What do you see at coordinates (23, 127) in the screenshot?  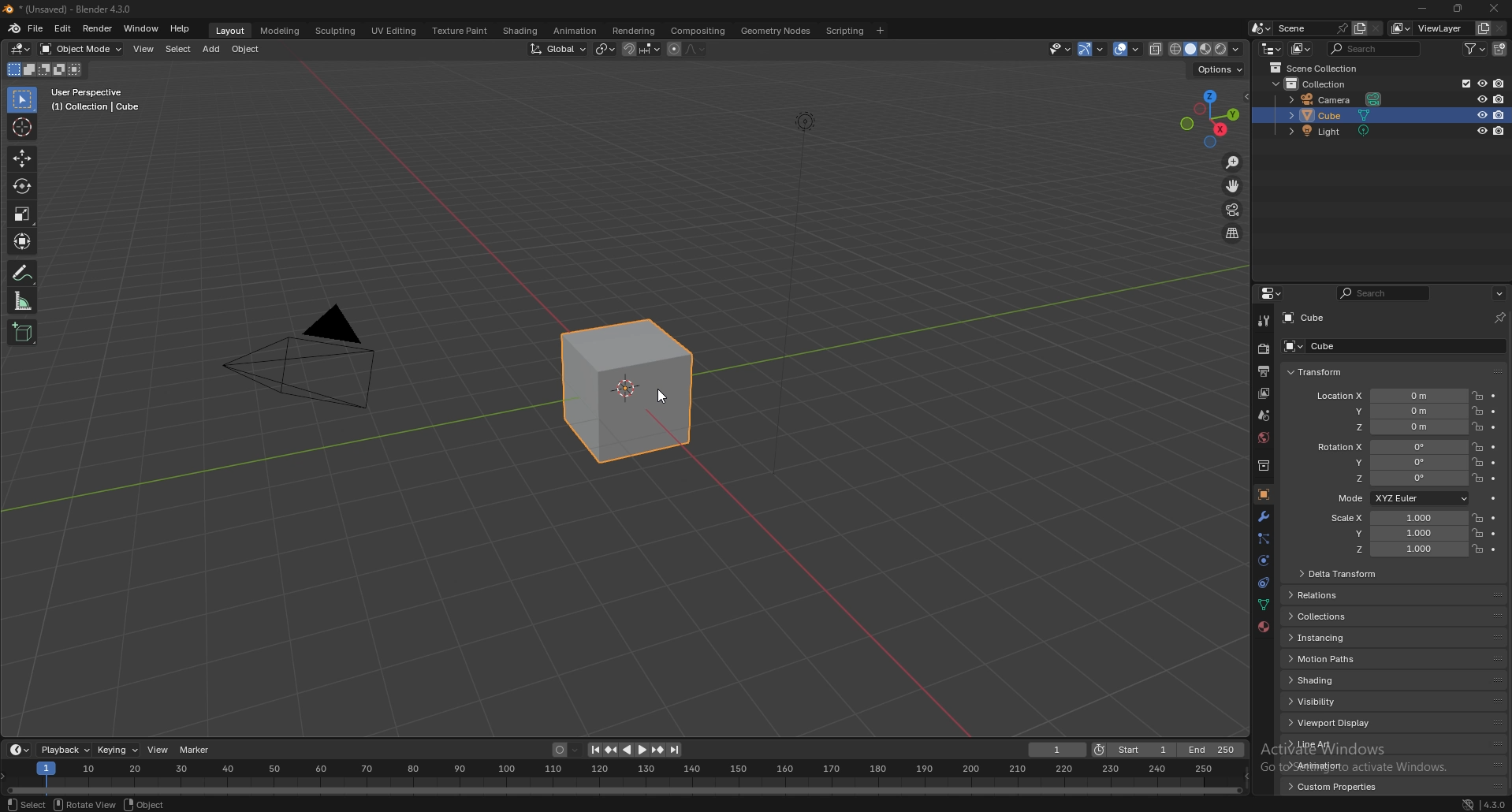 I see `cursor` at bounding box center [23, 127].